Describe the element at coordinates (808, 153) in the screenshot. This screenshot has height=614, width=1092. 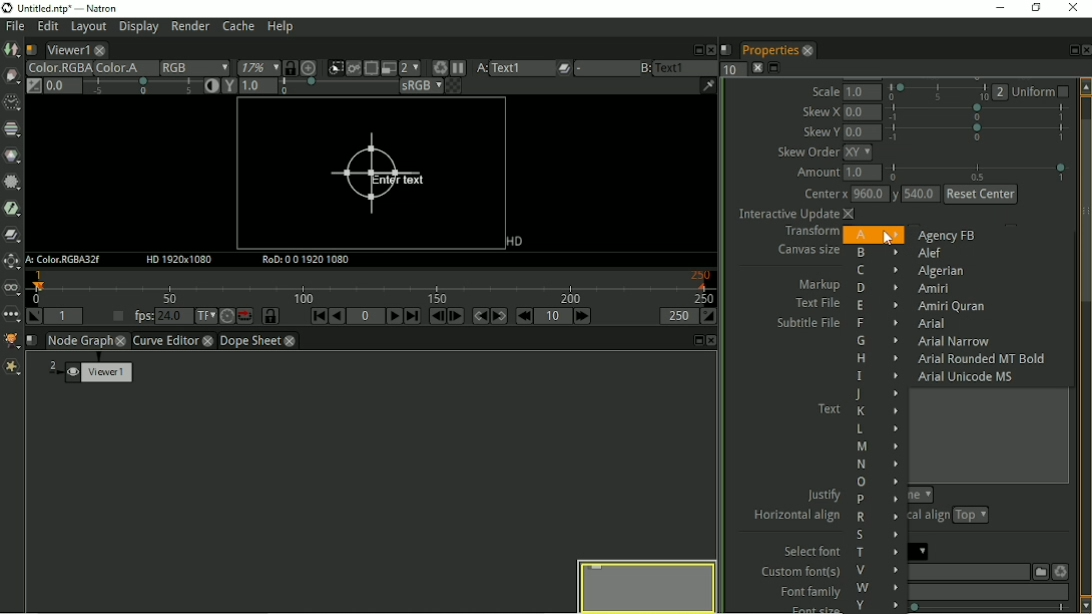
I see `skew Order` at that location.